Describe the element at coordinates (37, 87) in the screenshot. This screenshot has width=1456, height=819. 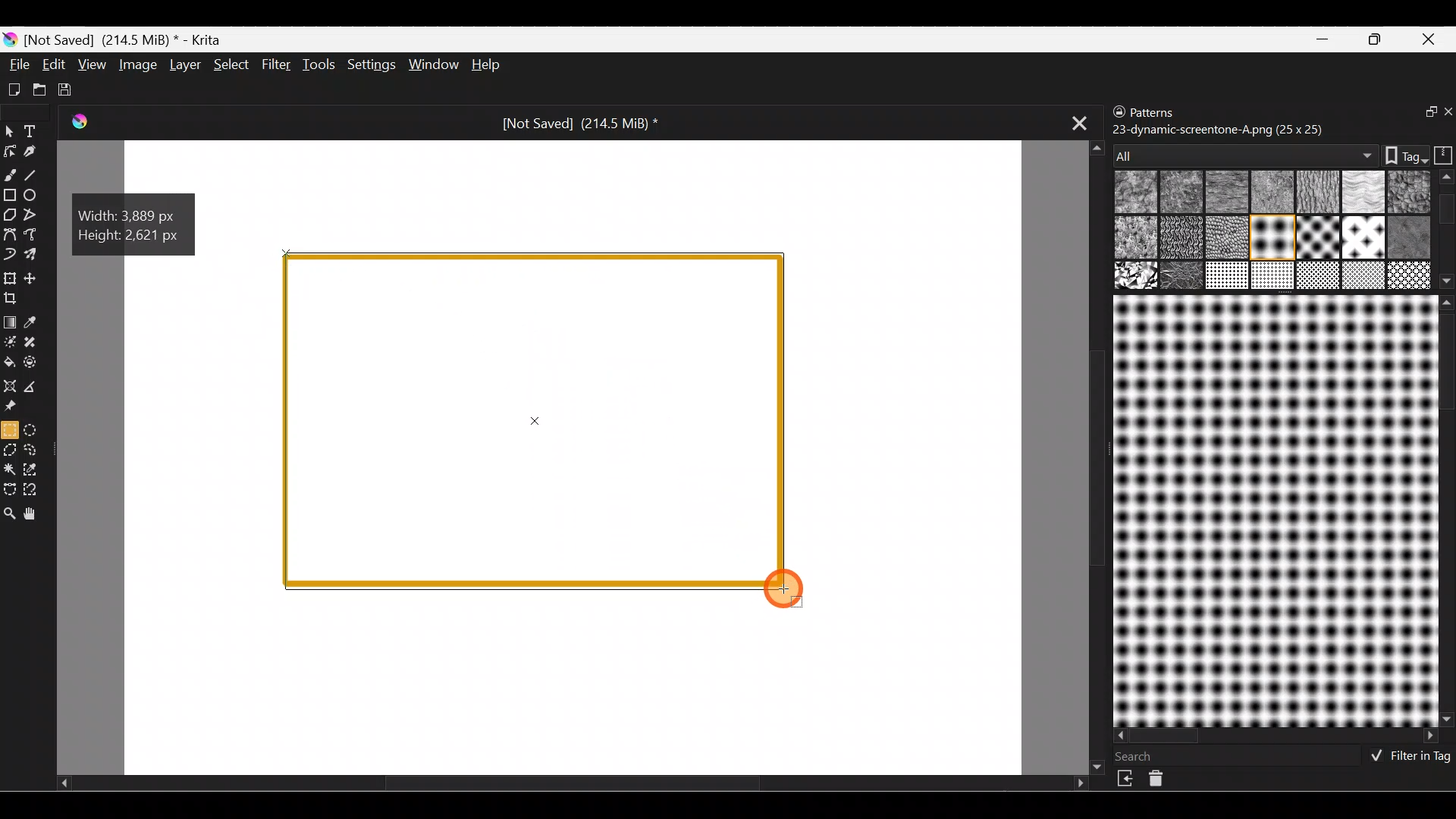
I see `Open existing document` at that location.